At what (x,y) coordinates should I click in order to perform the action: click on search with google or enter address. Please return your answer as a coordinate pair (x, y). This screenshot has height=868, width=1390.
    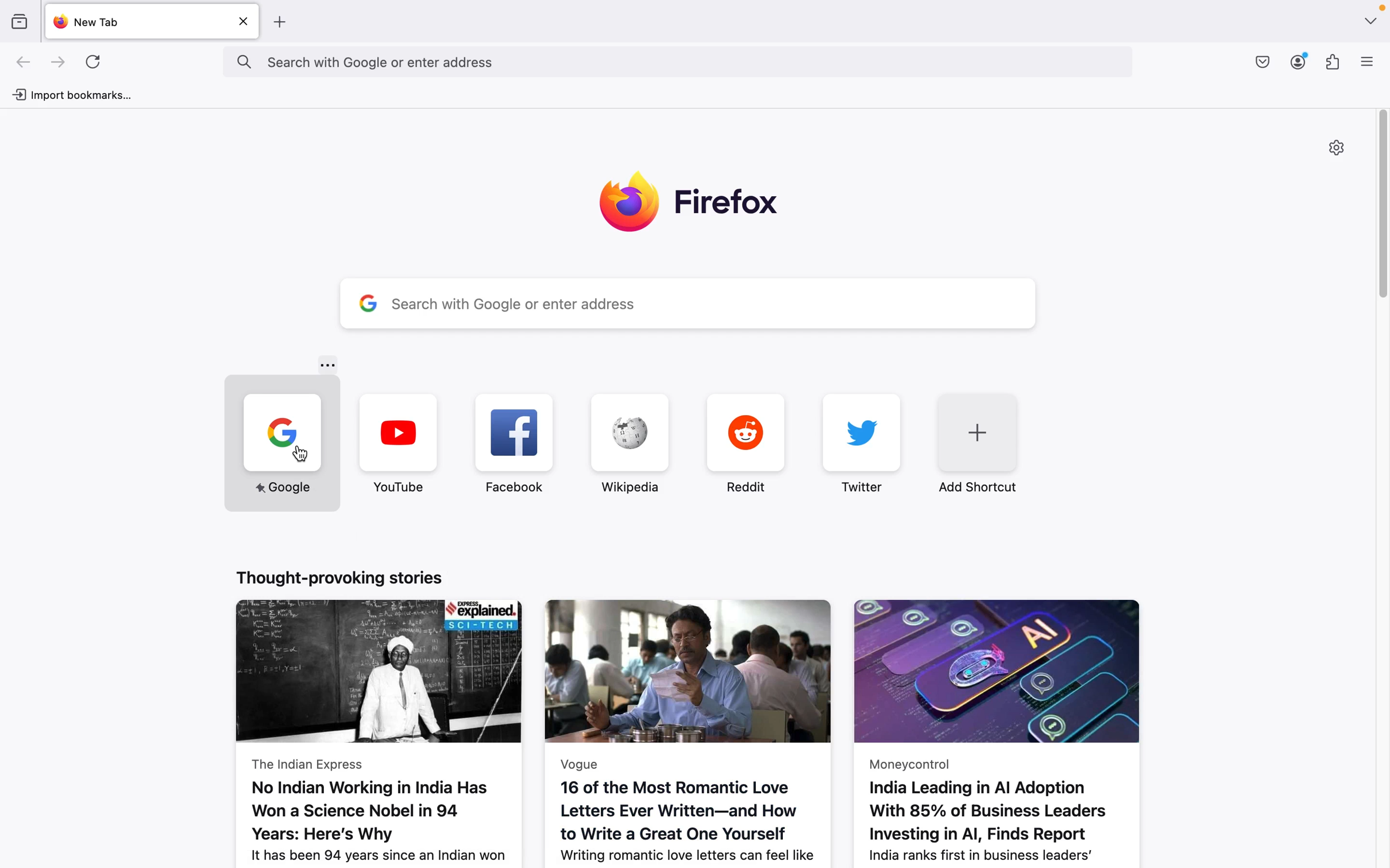
    Looking at the image, I should click on (677, 61).